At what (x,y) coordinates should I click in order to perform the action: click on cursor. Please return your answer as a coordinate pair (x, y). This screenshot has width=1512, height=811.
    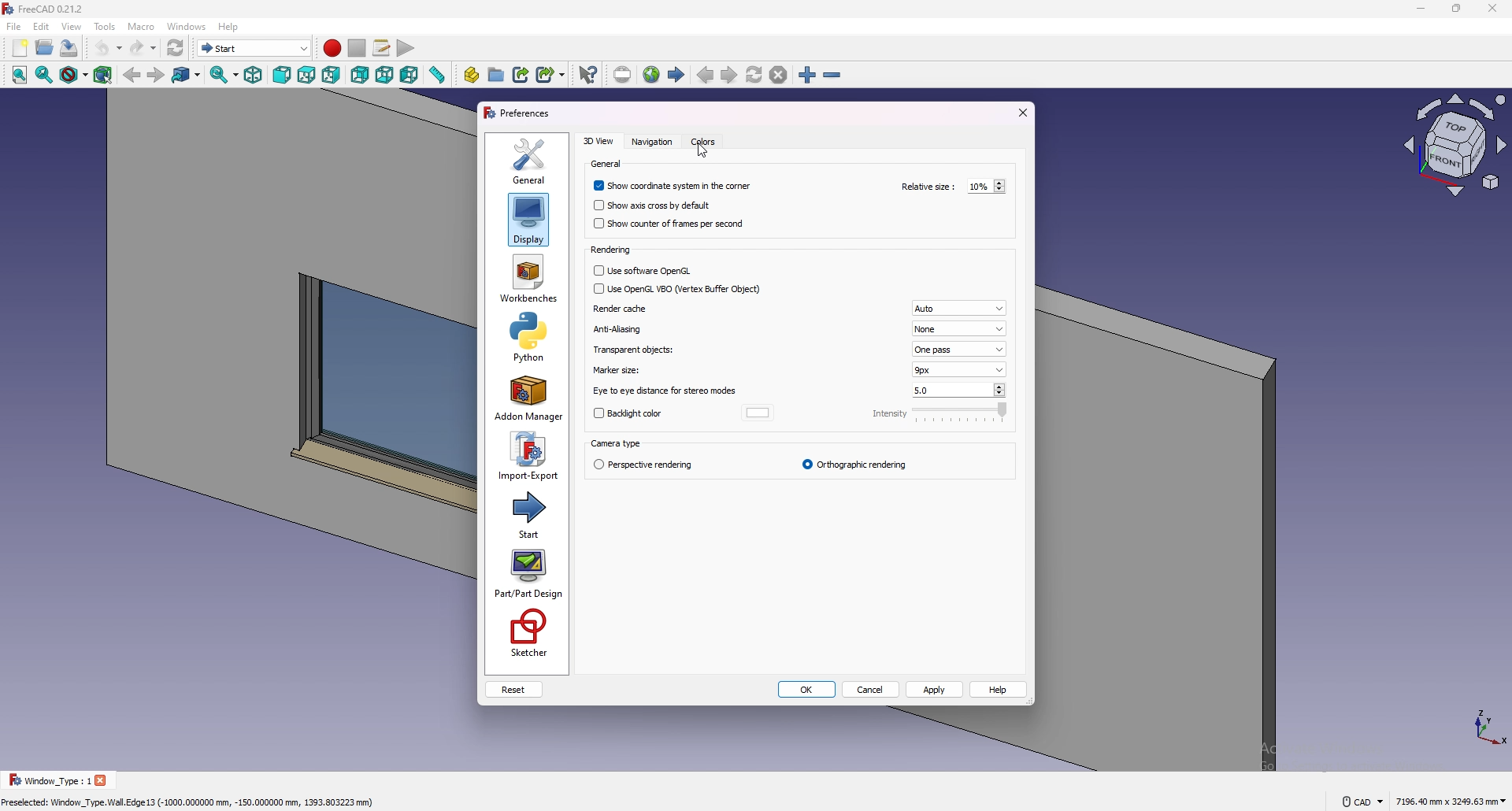
    Looking at the image, I should click on (704, 152).